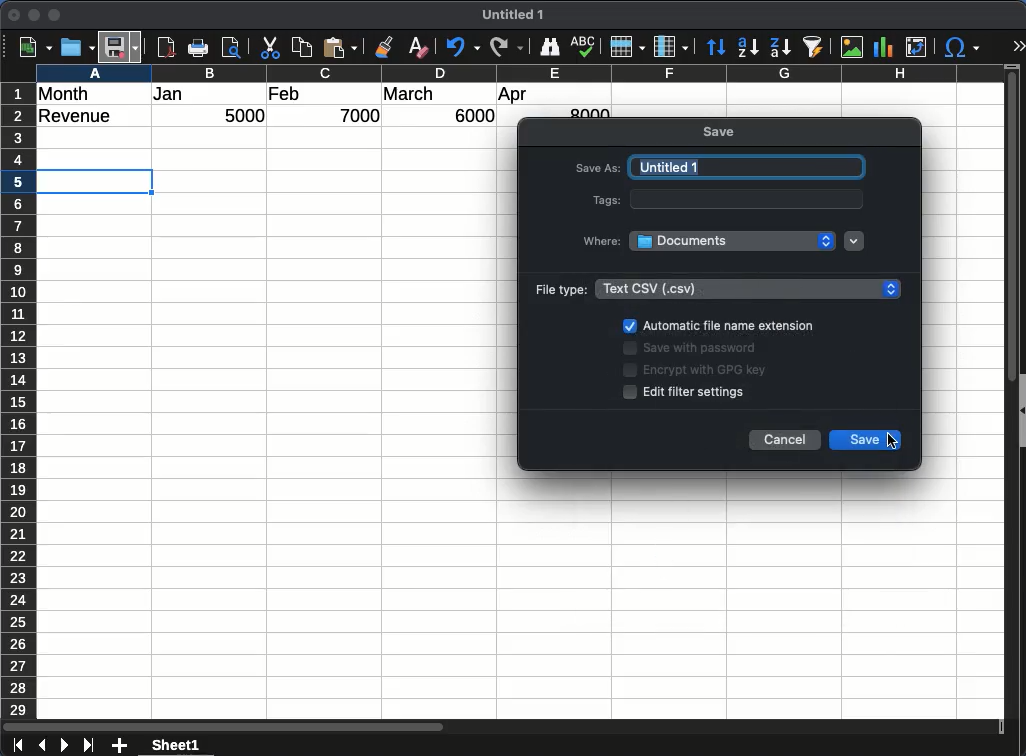  Describe the element at coordinates (729, 326) in the screenshot. I see `automatic file name extension` at that location.